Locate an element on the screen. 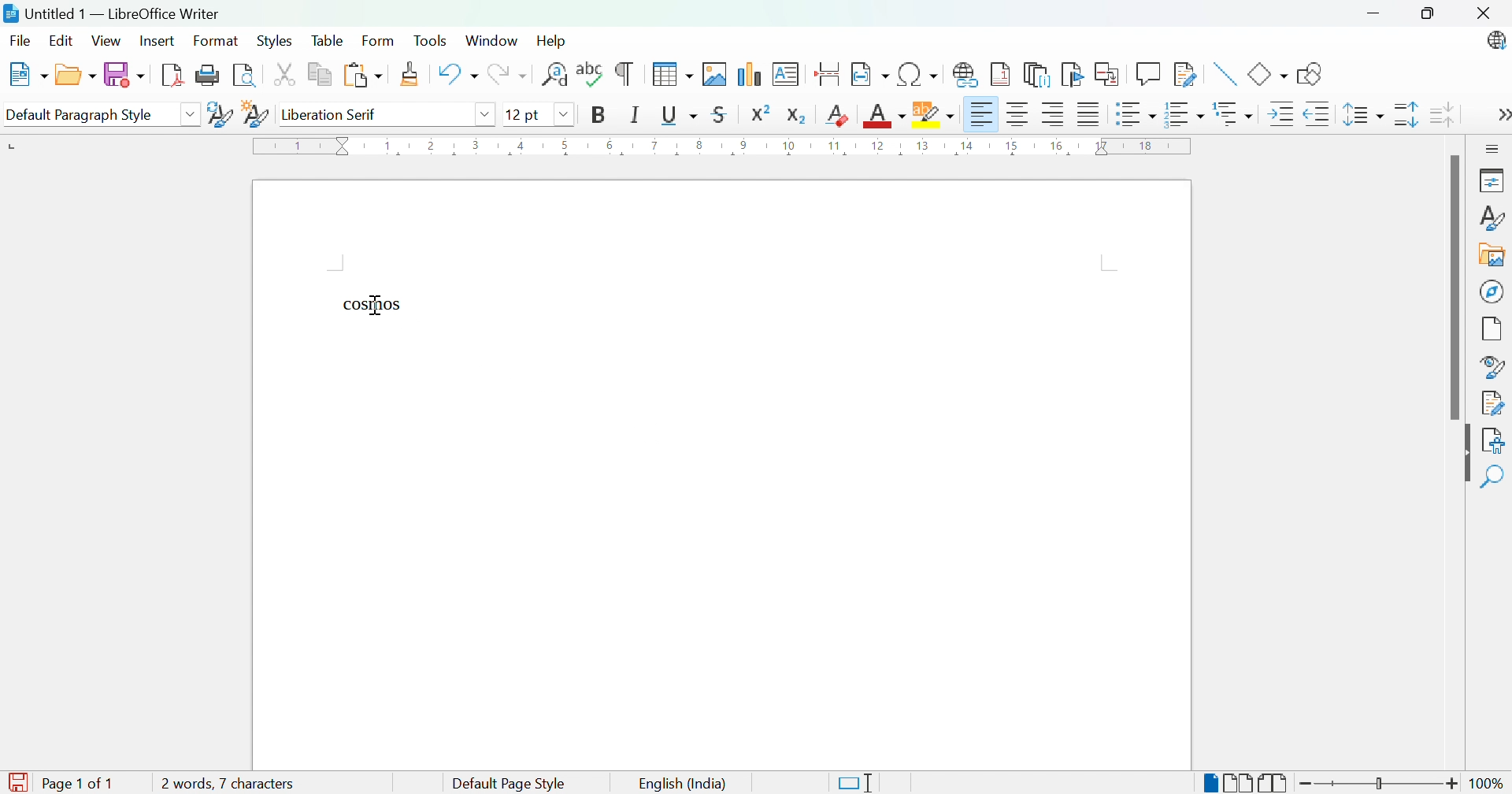 The image size is (1512, 794). New is located at coordinates (31, 73).